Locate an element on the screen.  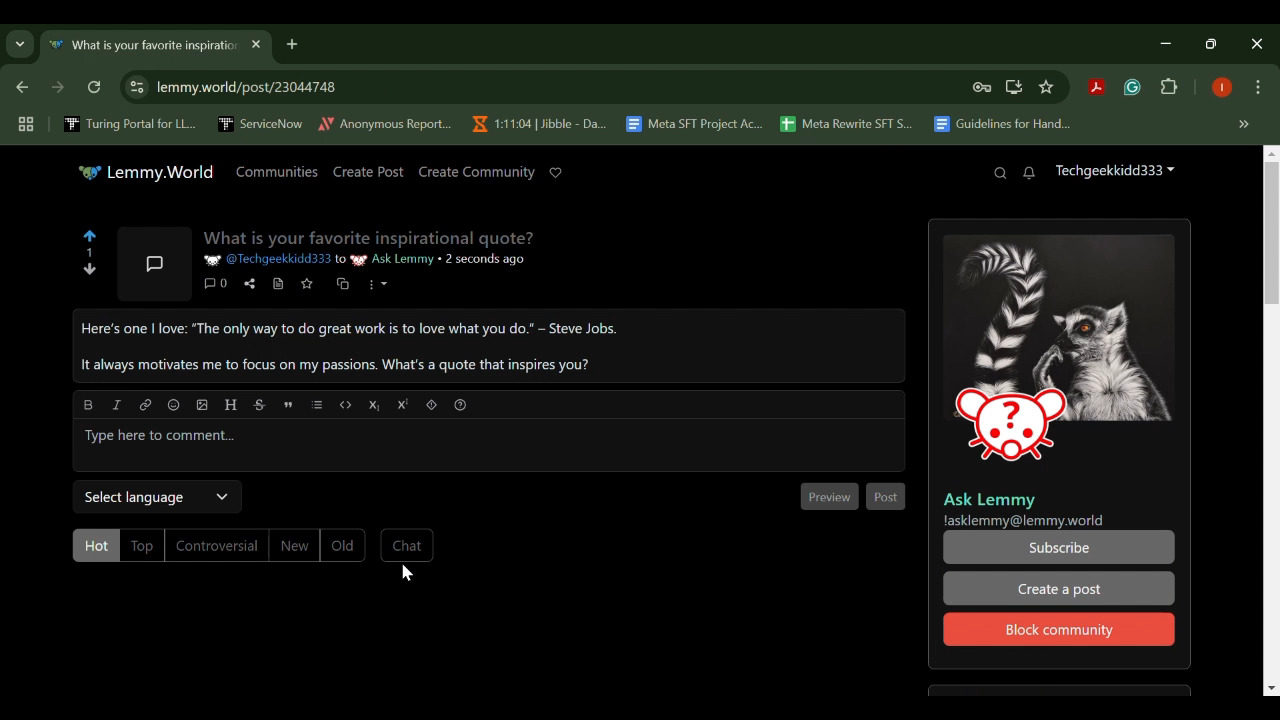
Meta Rewrite SFT is located at coordinates (847, 125).